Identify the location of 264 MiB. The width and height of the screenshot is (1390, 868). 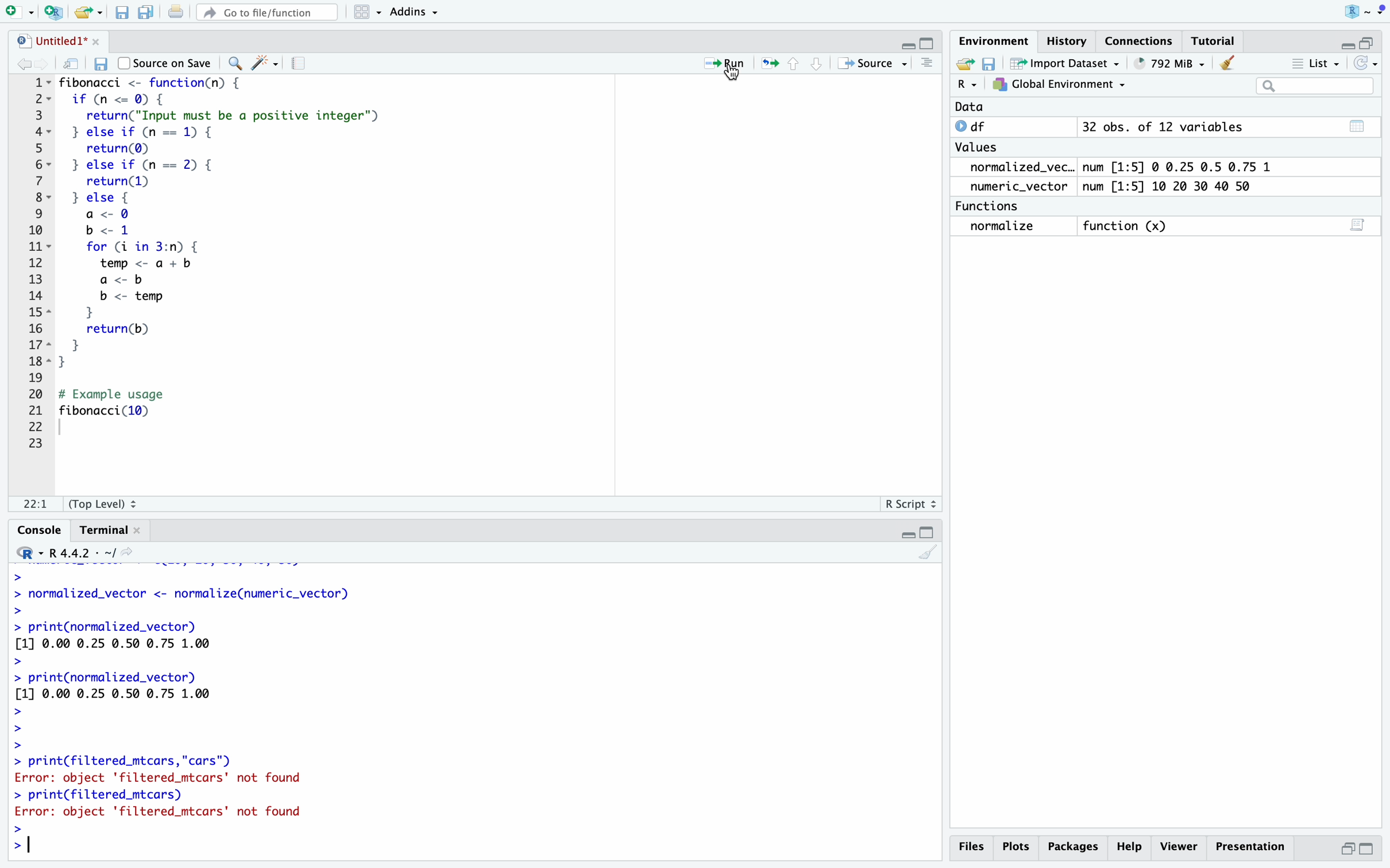
(1173, 63).